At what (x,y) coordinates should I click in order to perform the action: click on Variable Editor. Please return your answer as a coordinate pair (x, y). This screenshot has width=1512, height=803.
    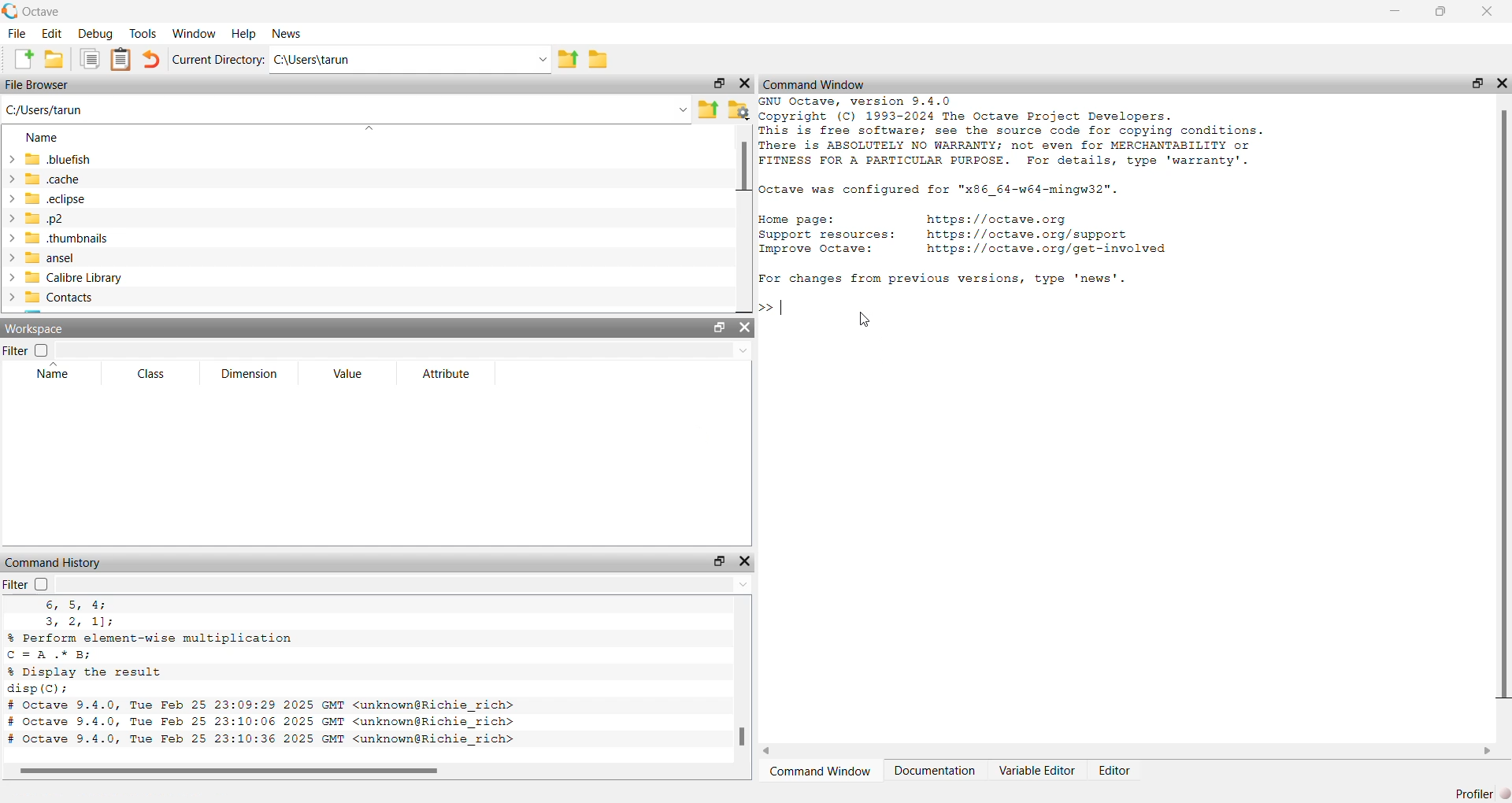
    Looking at the image, I should click on (1036, 770).